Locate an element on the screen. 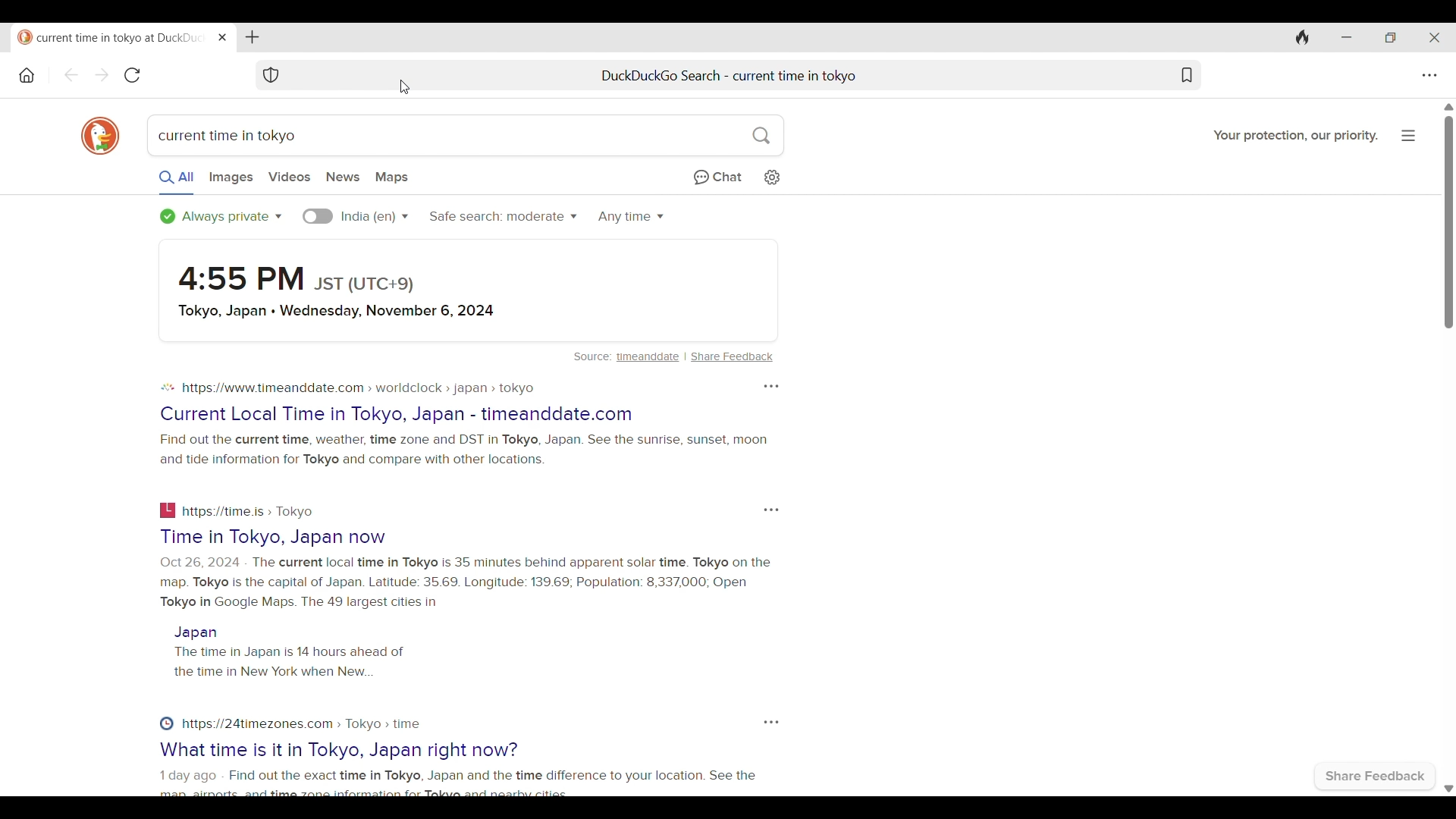 The width and height of the screenshot is (1456, 819). More settings is located at coordinates (771, 510).